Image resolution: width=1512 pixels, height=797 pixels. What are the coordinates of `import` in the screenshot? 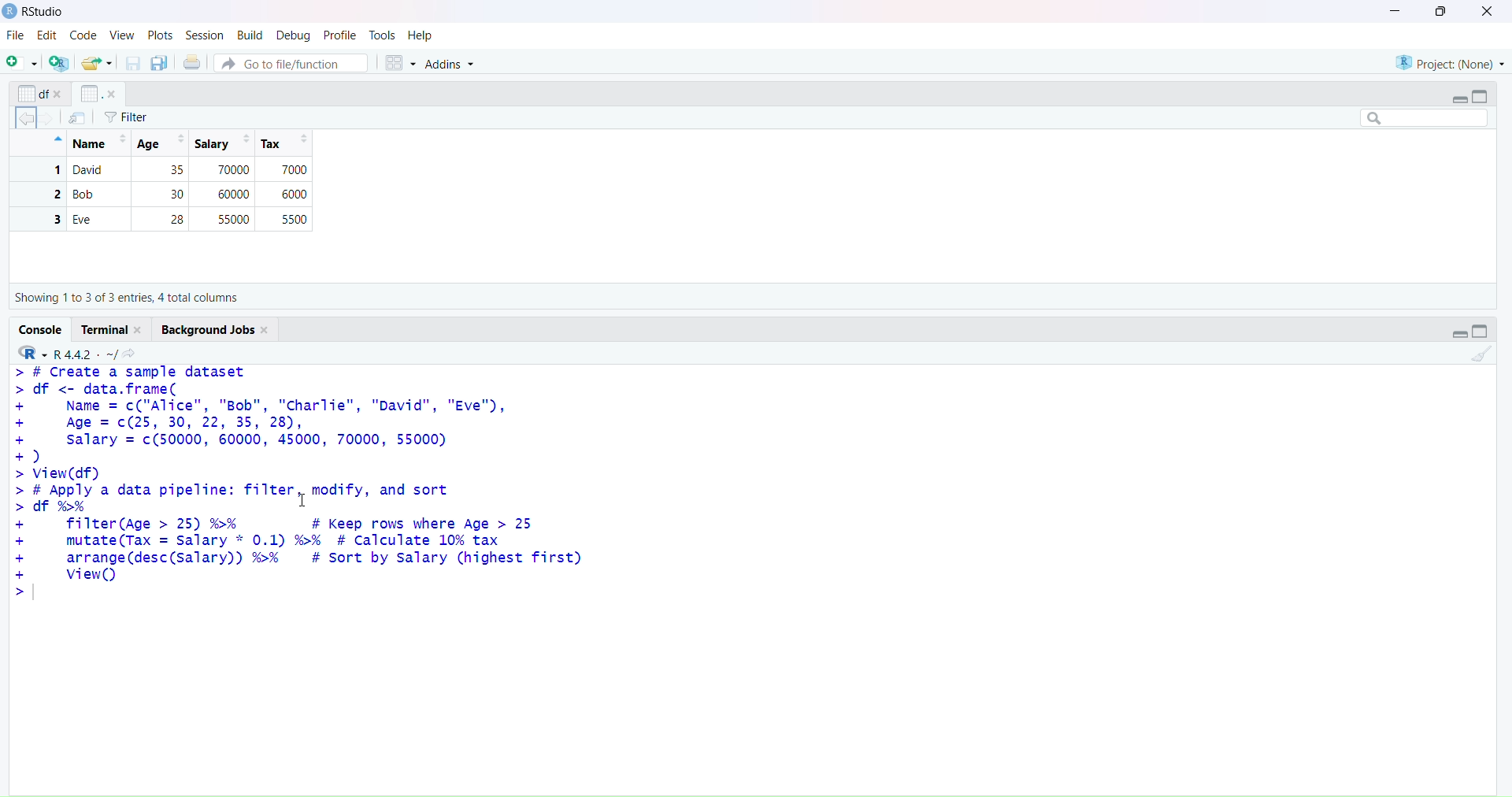 It's located at (78, 117).